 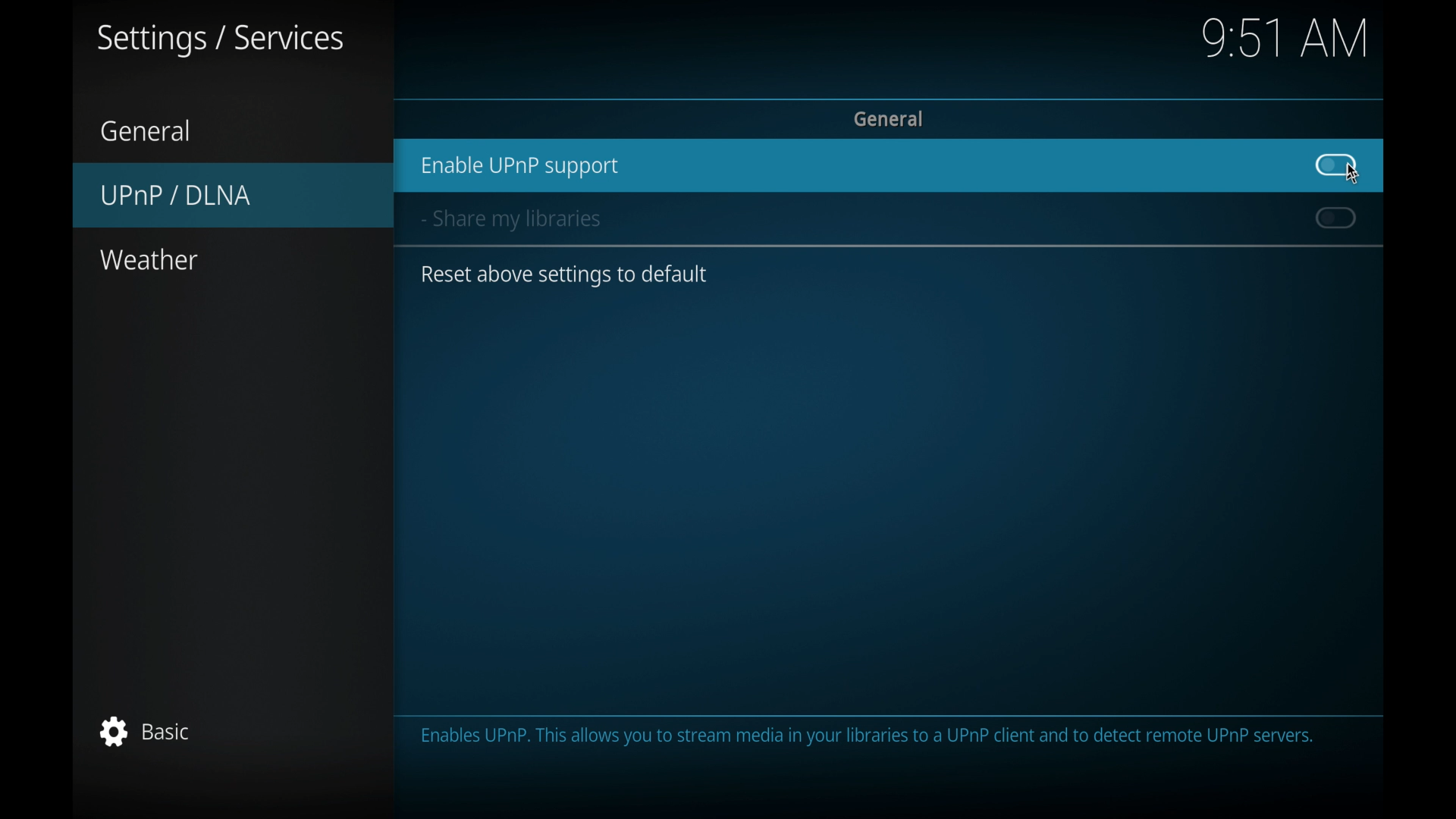 What do you see at coordinates (1336, 166) in the screenshot?
I see `toggle button` at bounding box center [1336, 166].